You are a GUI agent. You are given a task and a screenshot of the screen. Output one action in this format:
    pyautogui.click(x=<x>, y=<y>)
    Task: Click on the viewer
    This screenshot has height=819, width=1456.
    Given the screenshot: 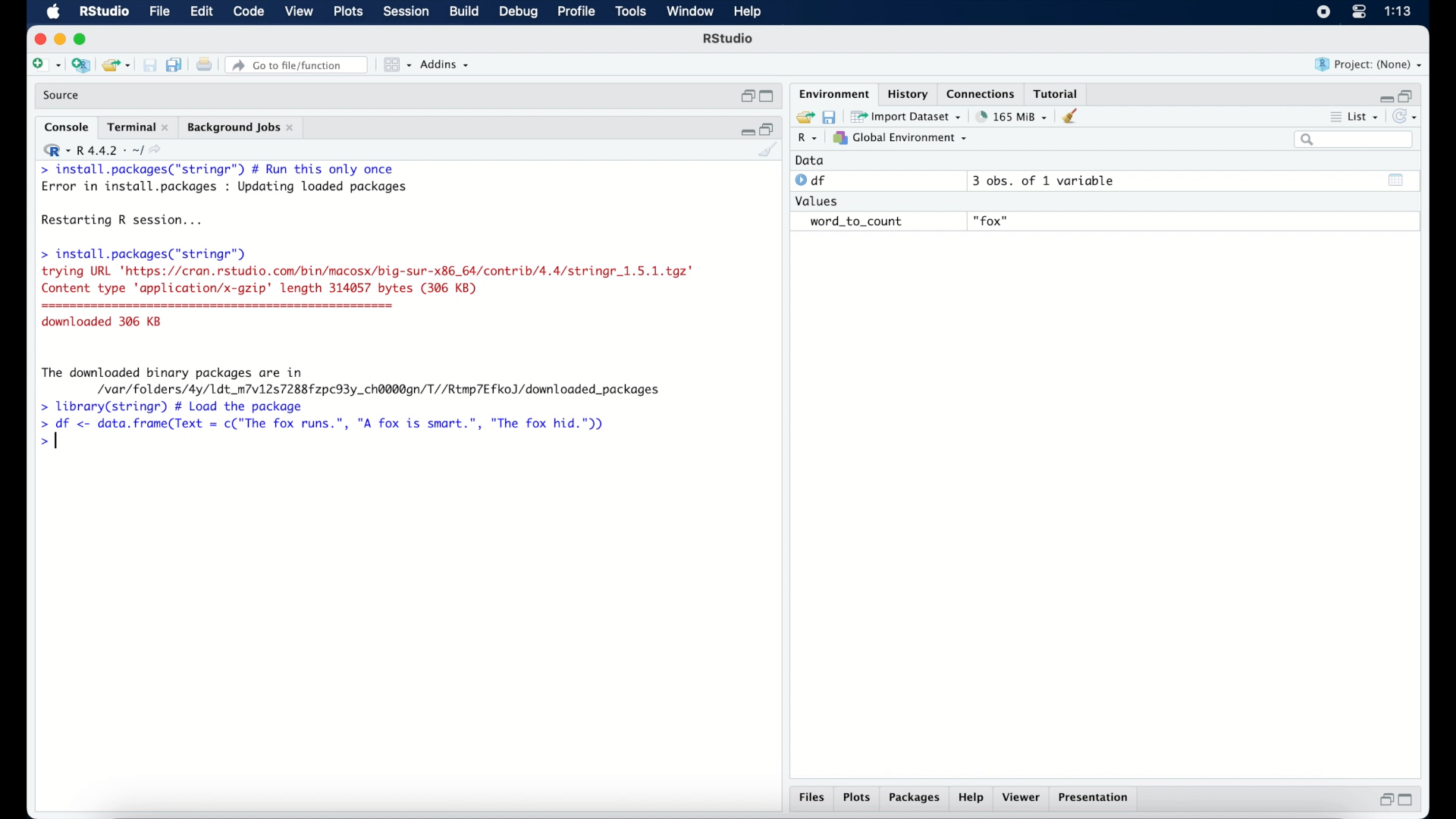 What is the action you would take?
    pyautogui.click(x=1022, y=798)
    